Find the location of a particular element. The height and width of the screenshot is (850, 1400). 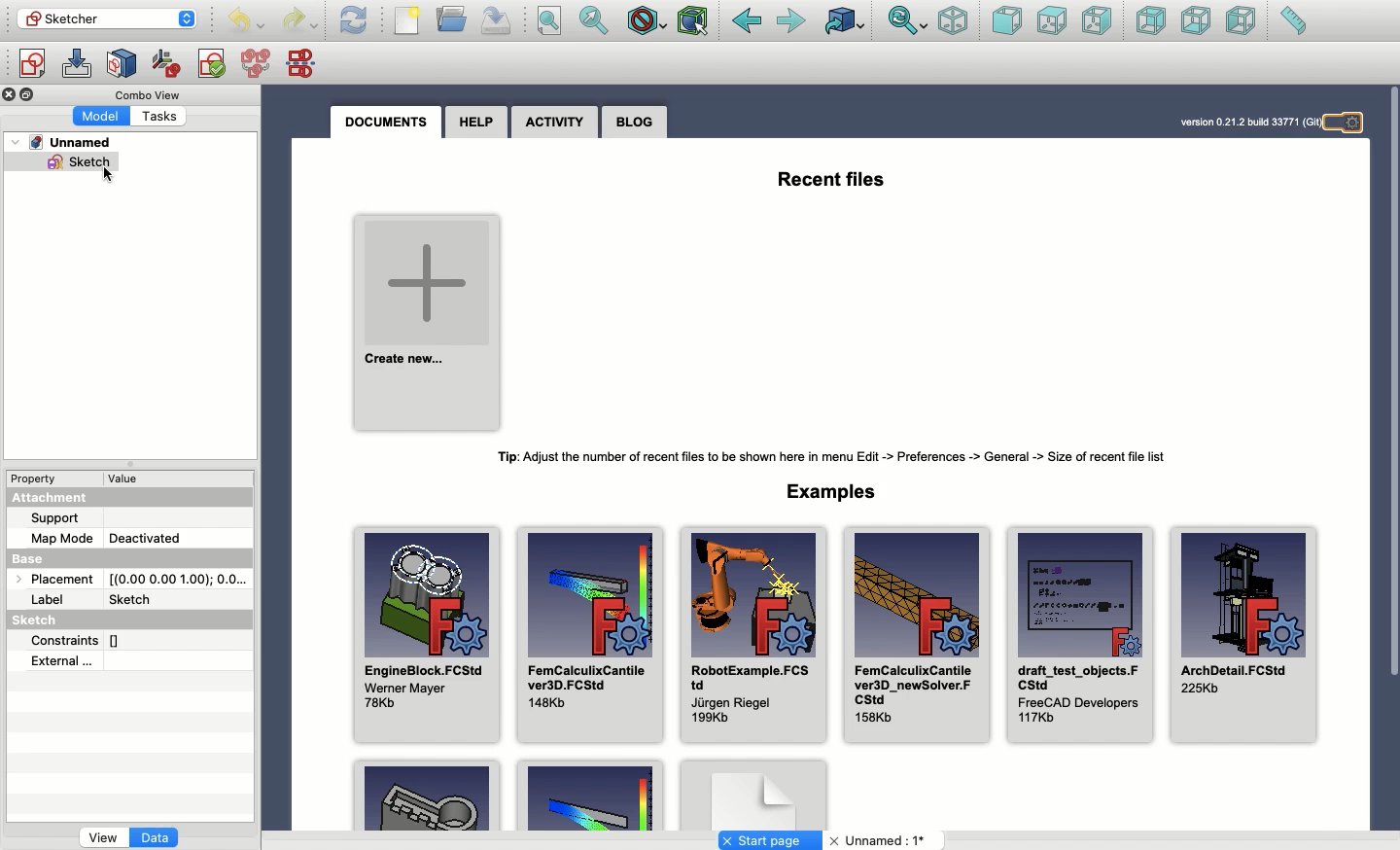

Measure is located at coordinates (1293, 20).